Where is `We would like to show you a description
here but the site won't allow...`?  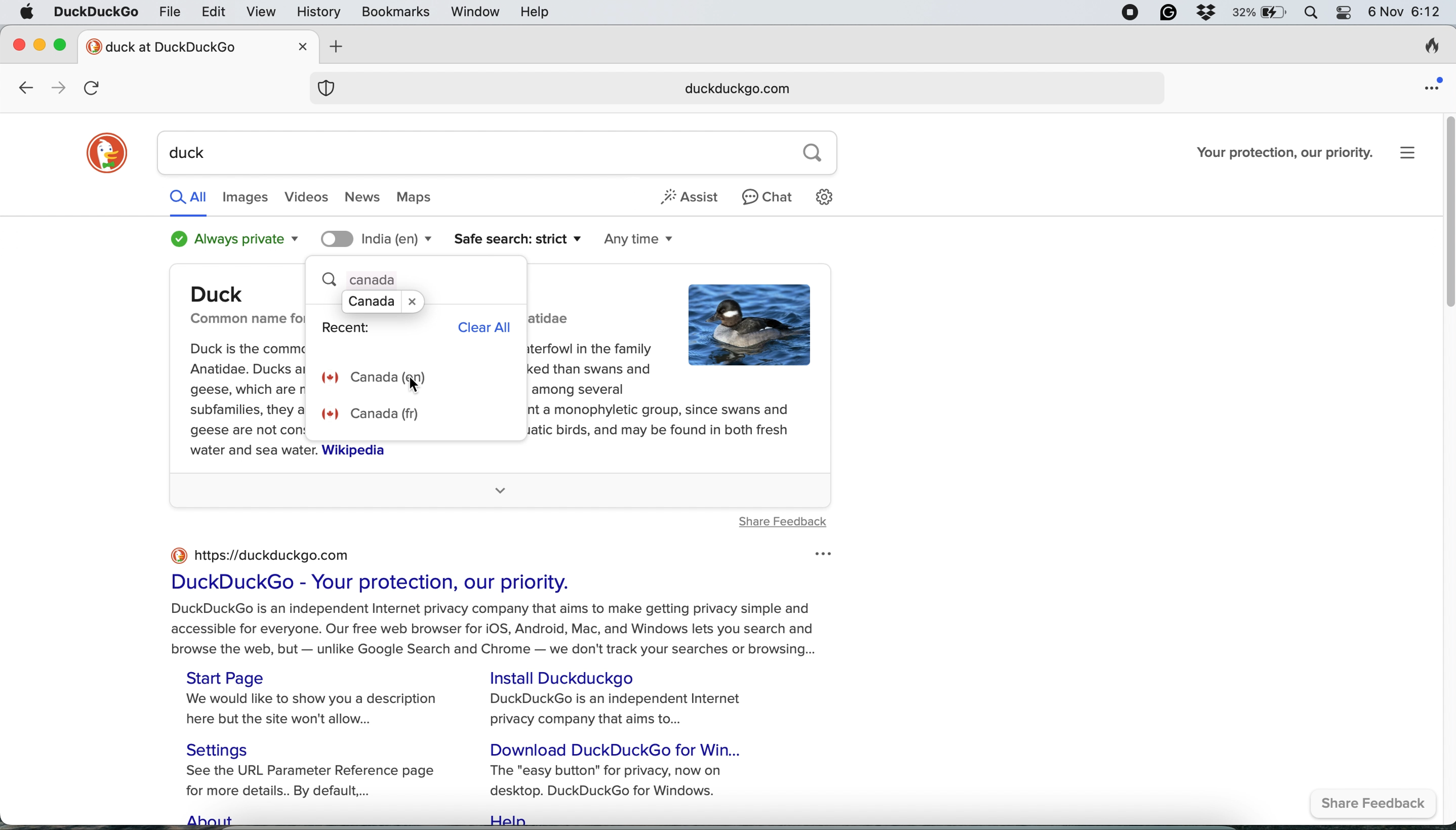 We would like to show you a description
here but the site won't allow... is located at coordinates (317, 711).